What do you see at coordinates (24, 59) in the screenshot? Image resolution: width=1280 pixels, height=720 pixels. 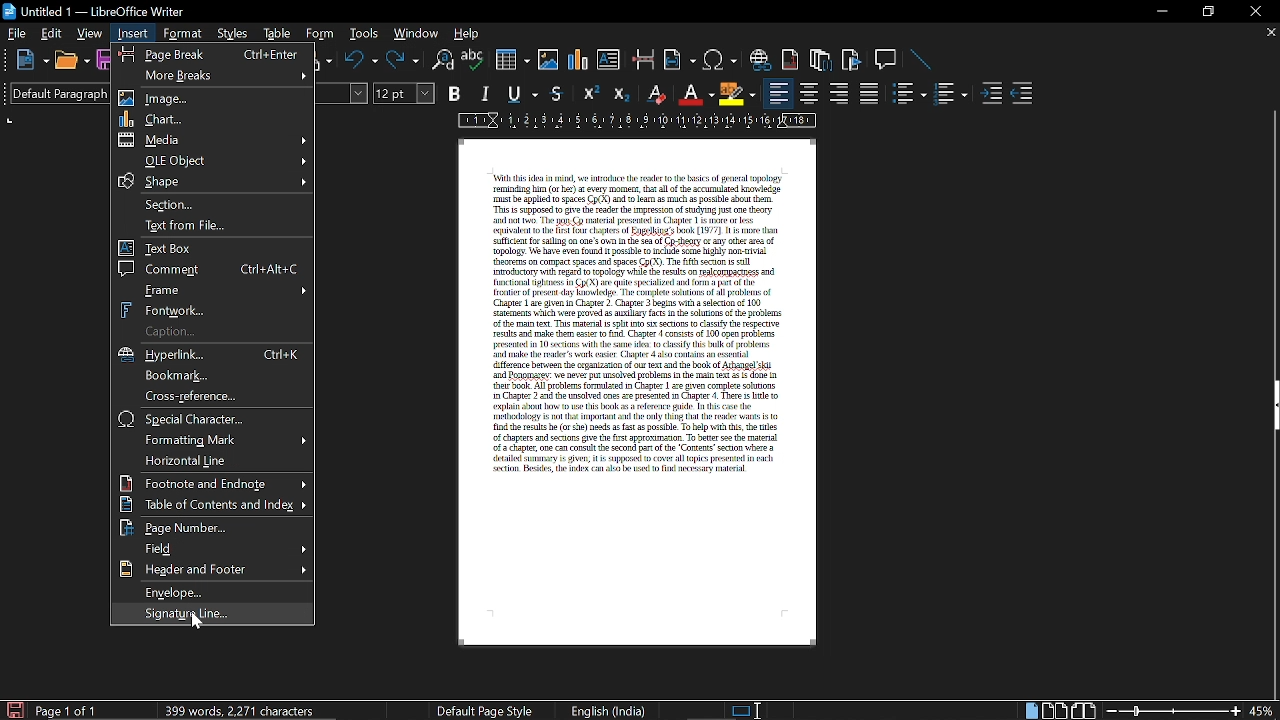 I see `new` at bounding box center [24, 59].